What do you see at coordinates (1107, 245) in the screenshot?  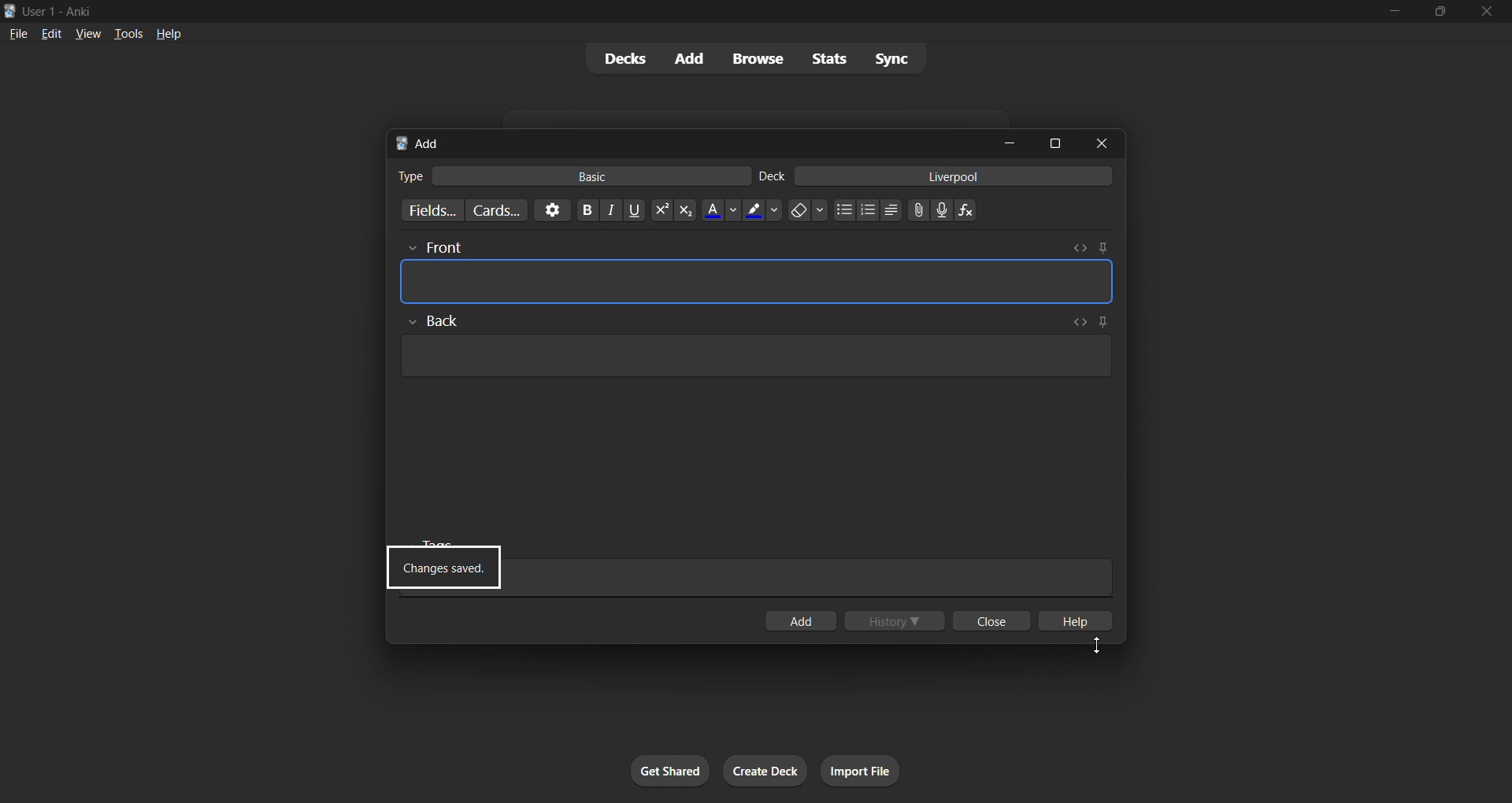 I see `pin` at bounding box center [1107, 245].